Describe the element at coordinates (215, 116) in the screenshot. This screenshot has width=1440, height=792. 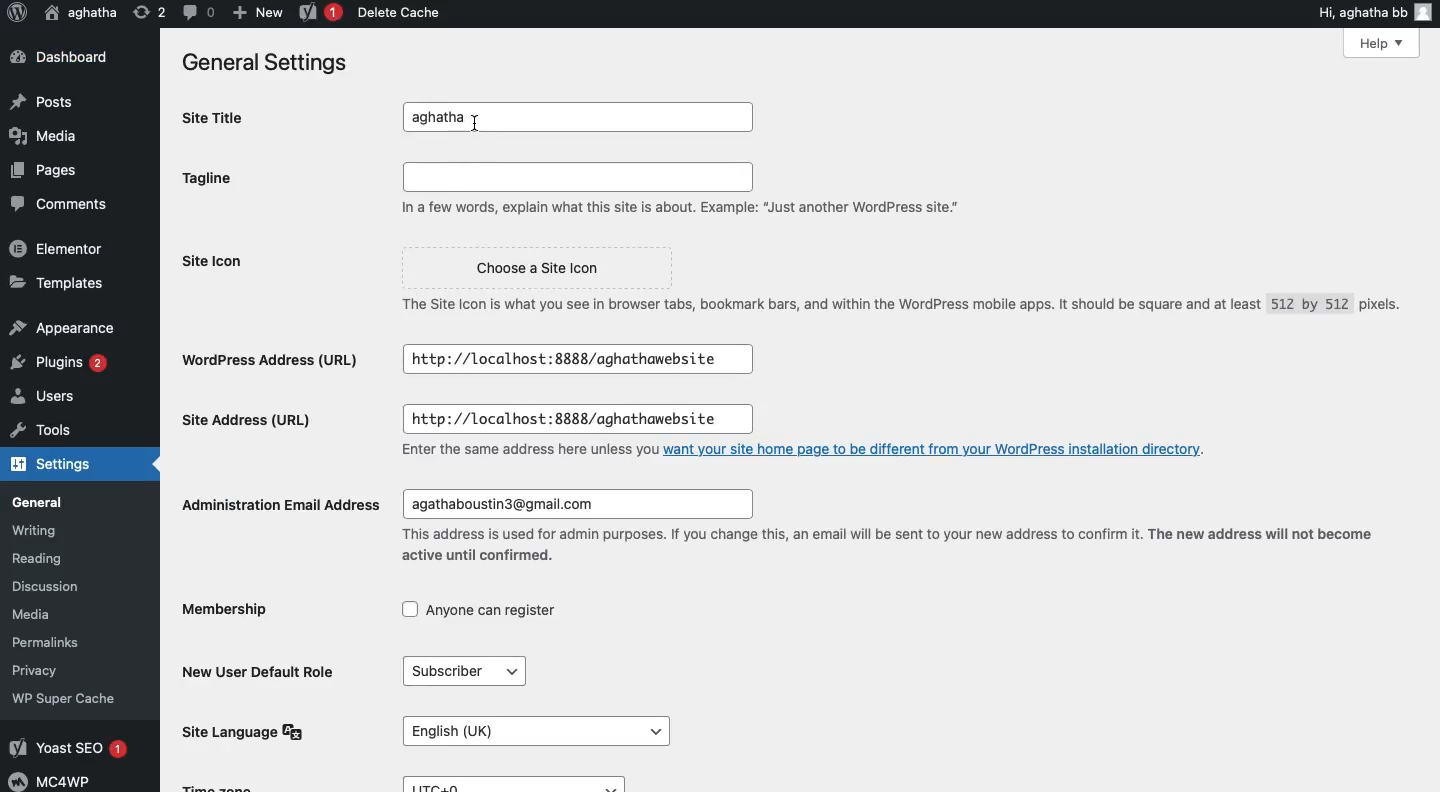
I see `Site title` at that location.